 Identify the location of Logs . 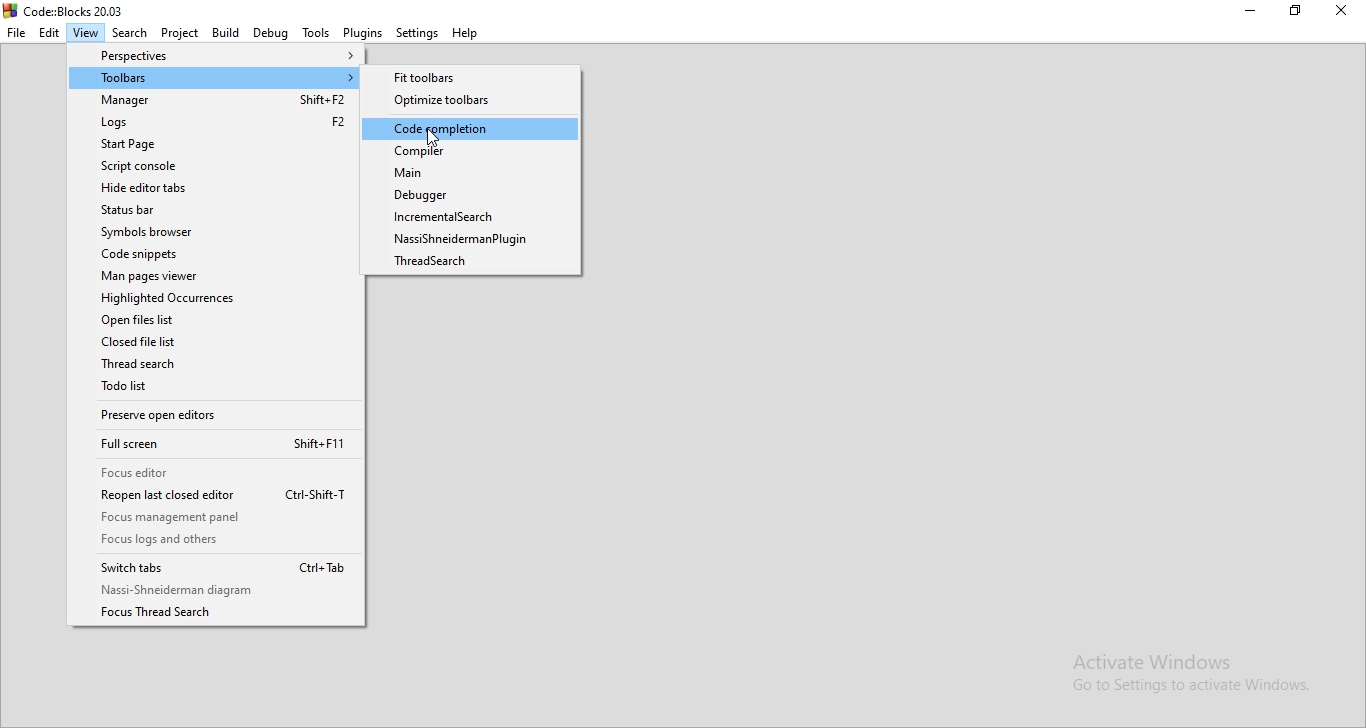
(214, 122).